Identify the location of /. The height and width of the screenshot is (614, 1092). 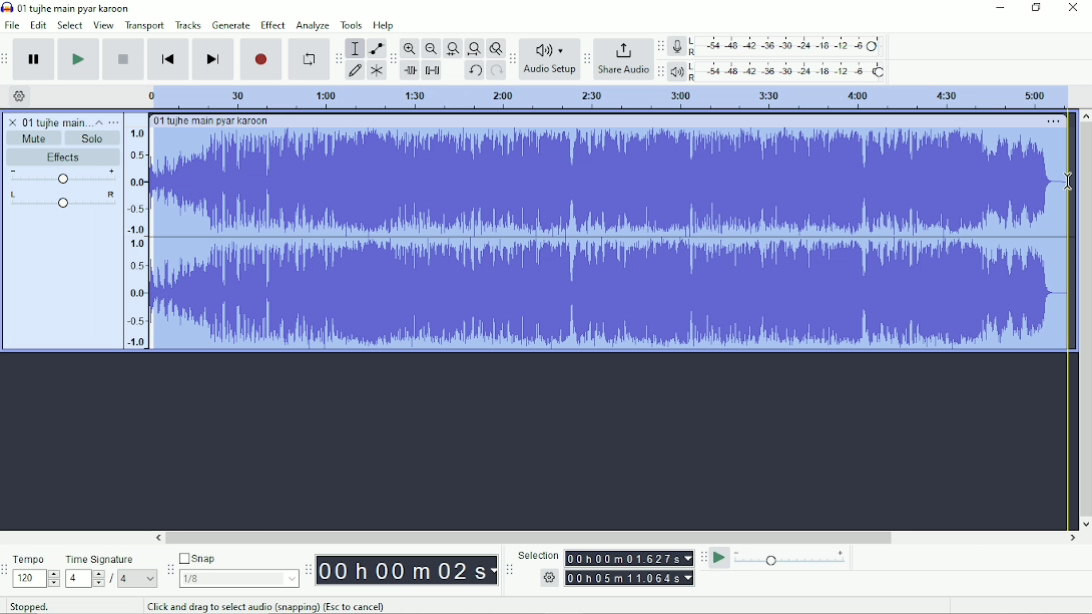
(113, 581).